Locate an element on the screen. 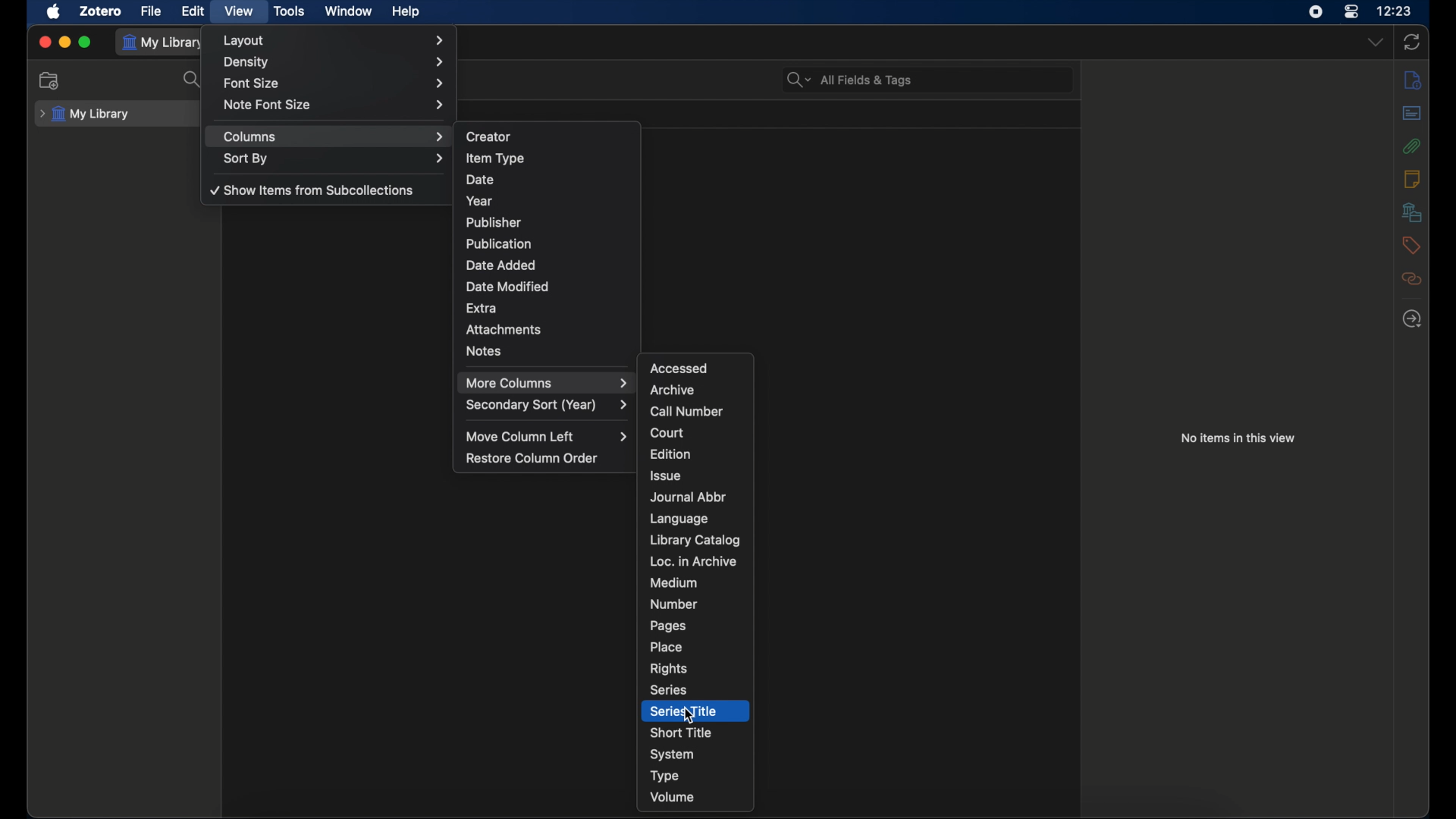 This screenshot has width=1456, height=819. search is located at coordinates (194, 80).